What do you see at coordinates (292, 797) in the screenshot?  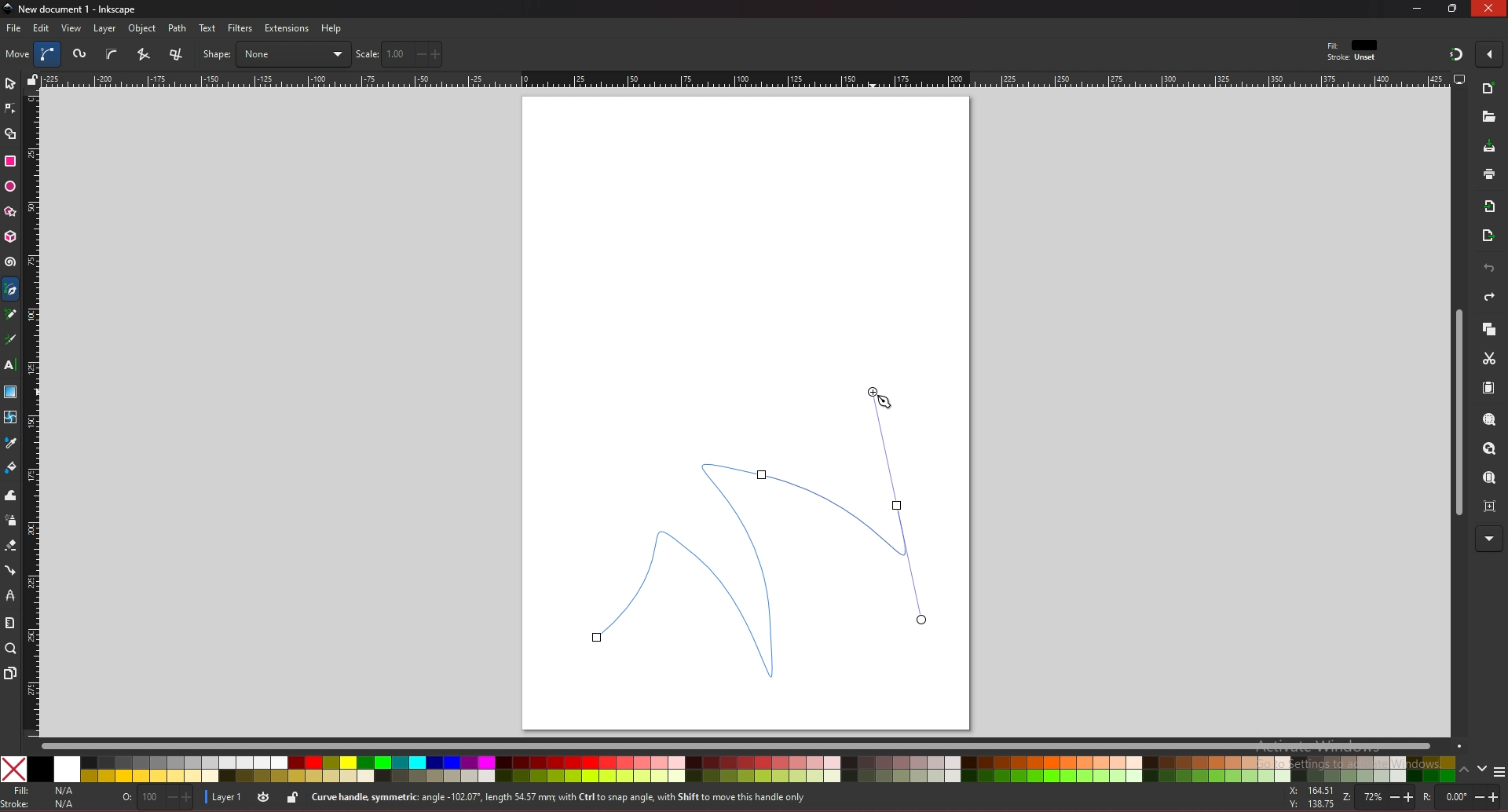 I see `lock` at bounding box center [292, 797].